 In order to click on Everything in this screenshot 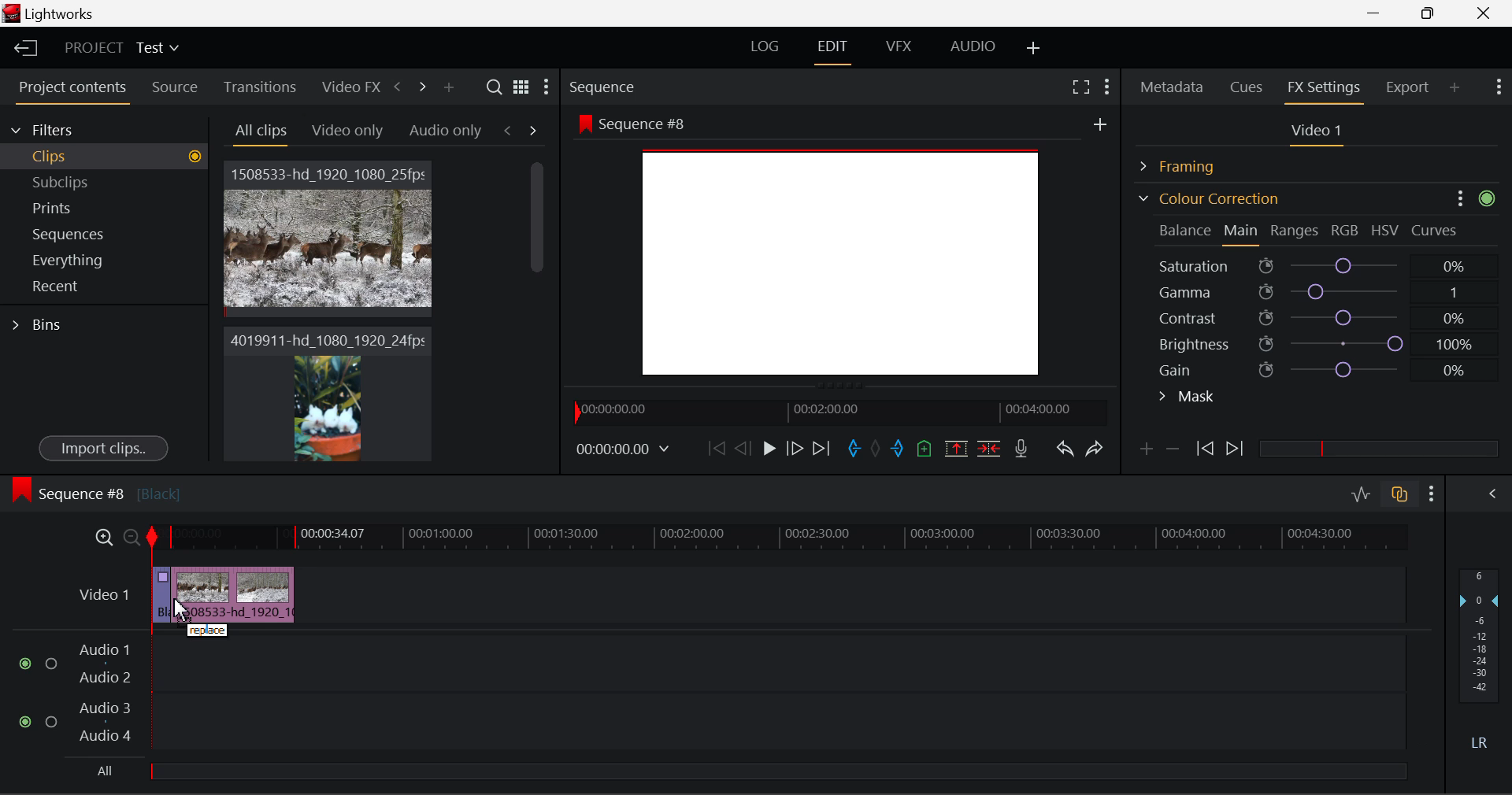, I will do `click(70, 260)`.